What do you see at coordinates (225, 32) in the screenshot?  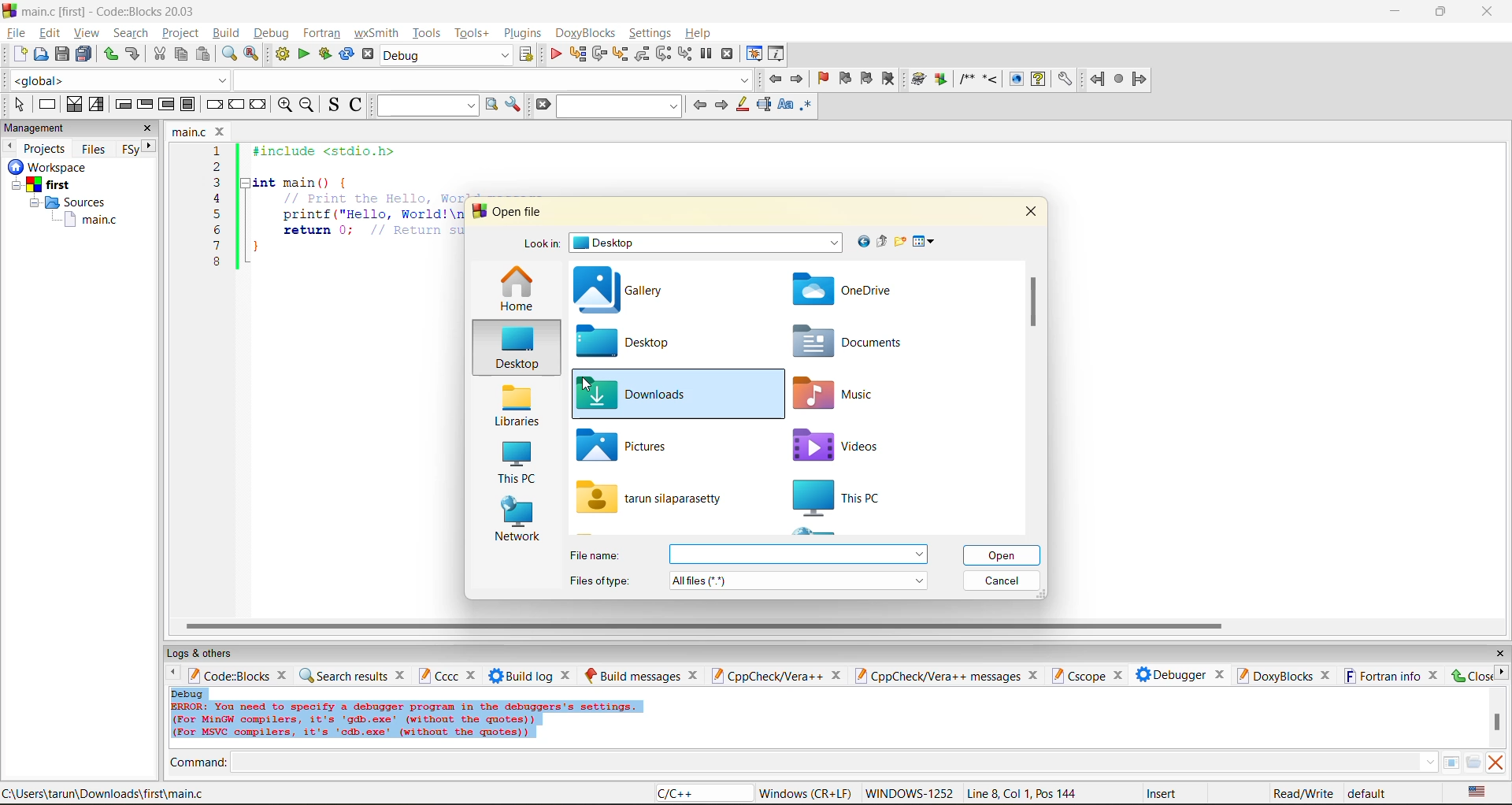 I see `build` at bounding box center [225, 32].